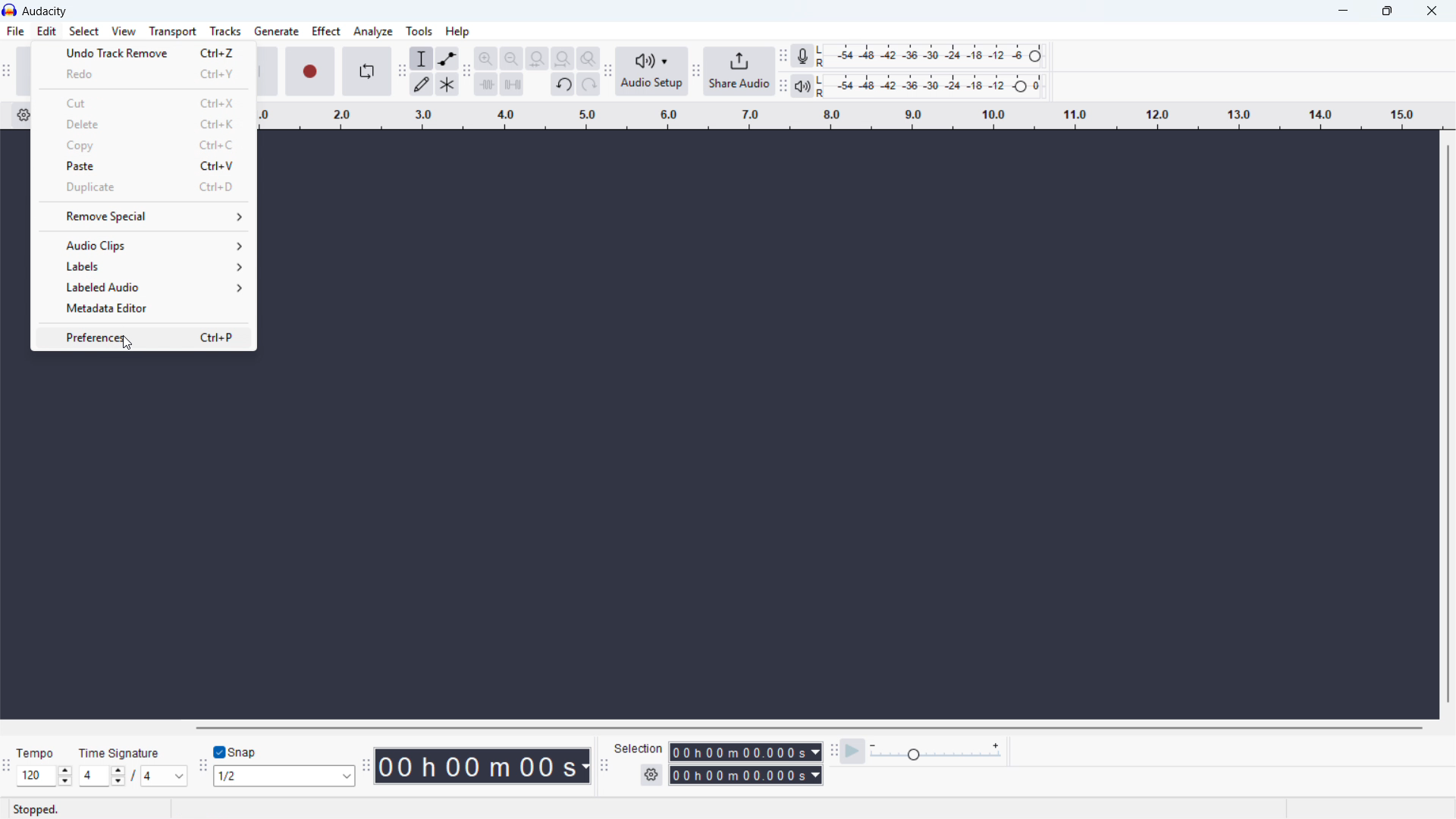  Describe the element at coordinates (143, 308) in the screenshot. I see `metadata editor` at that location.